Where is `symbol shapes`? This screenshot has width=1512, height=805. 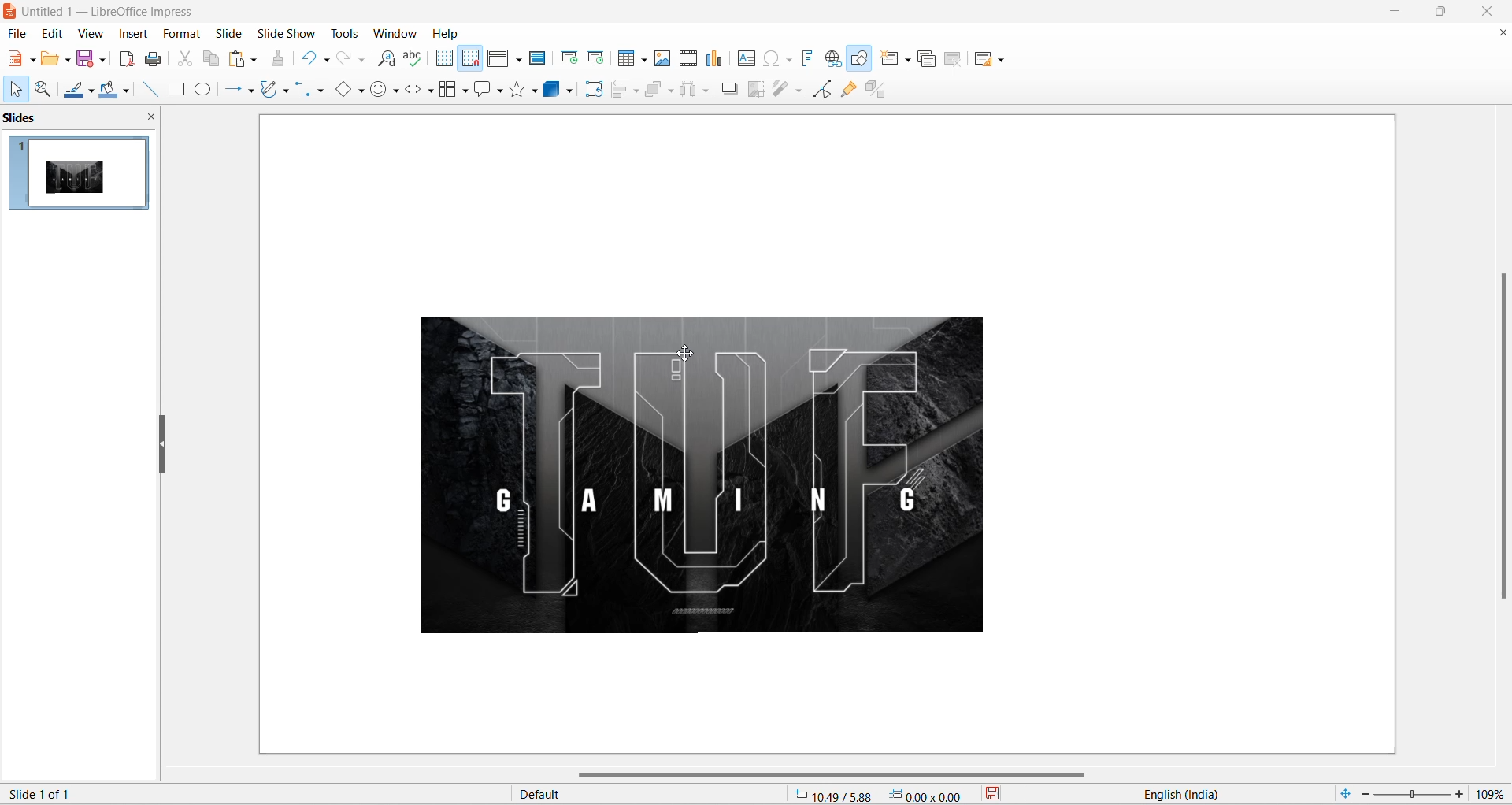 symbol shapes is located at coordinates (380, 92).